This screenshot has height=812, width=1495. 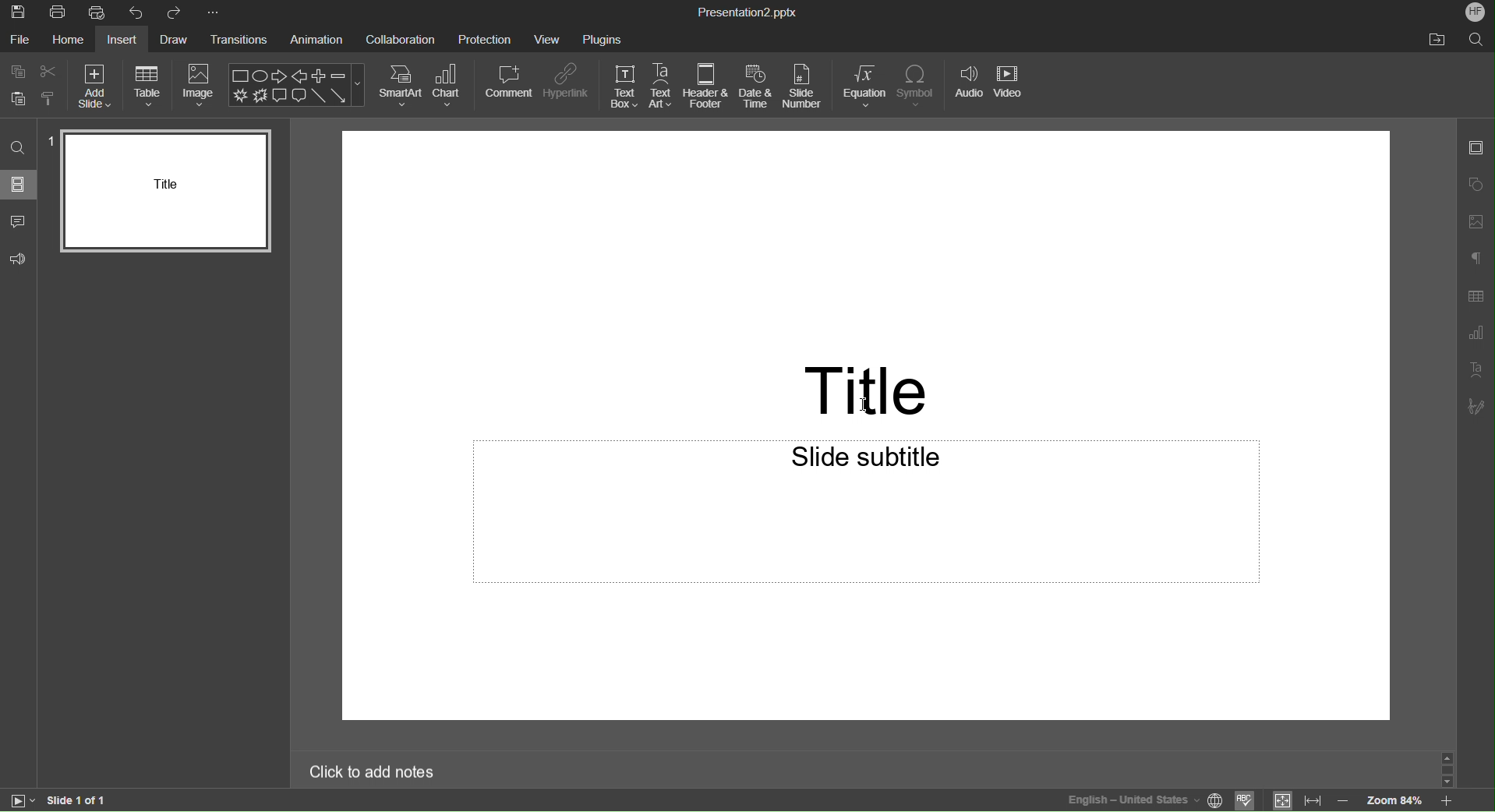 What do you see at coordinates (806, 86) in the screenshot?
I see `Slide Number` at bounding box center [806, 86].